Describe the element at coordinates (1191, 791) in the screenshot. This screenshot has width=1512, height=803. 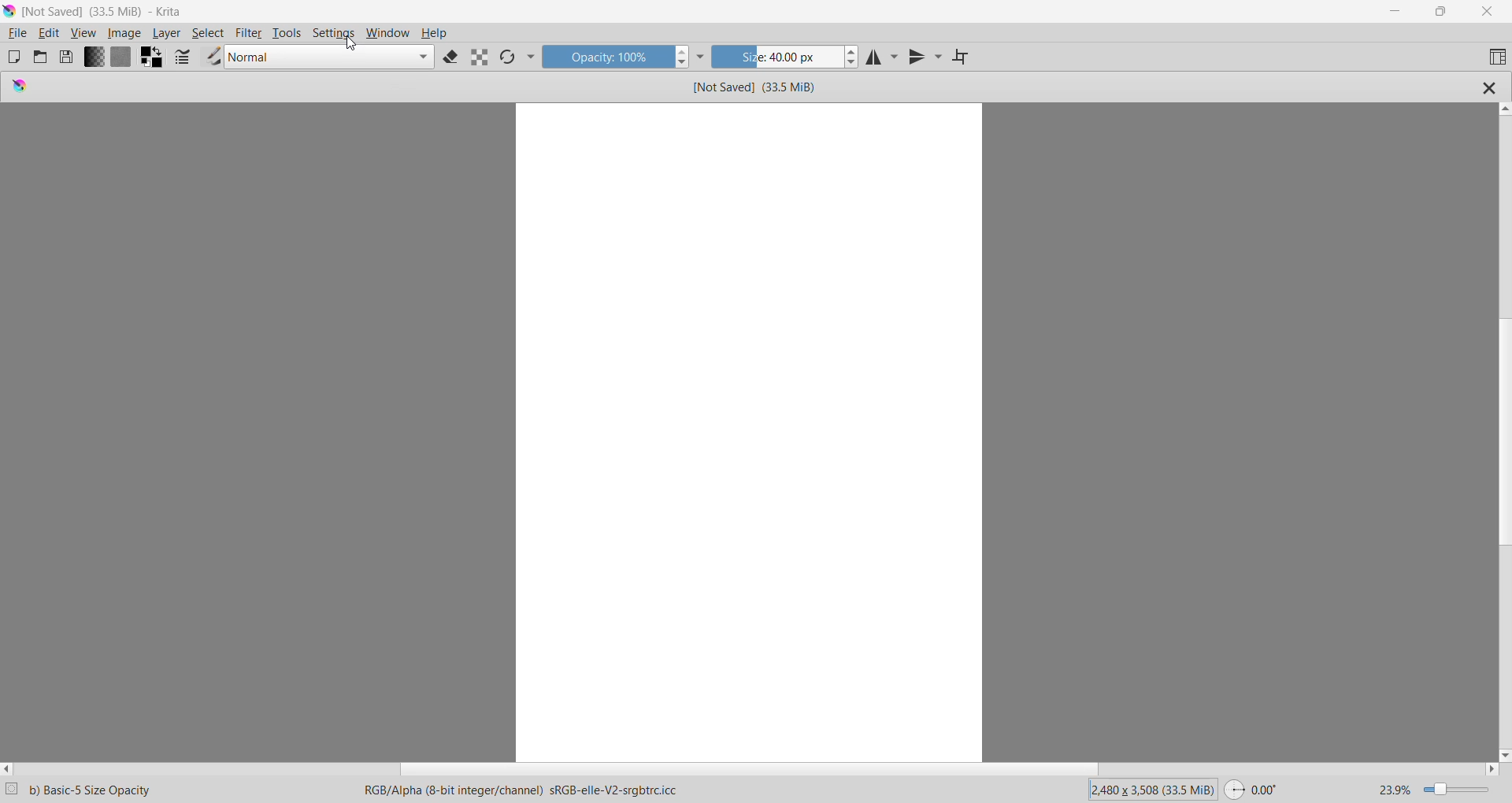
I see `Memory Used` at that location.